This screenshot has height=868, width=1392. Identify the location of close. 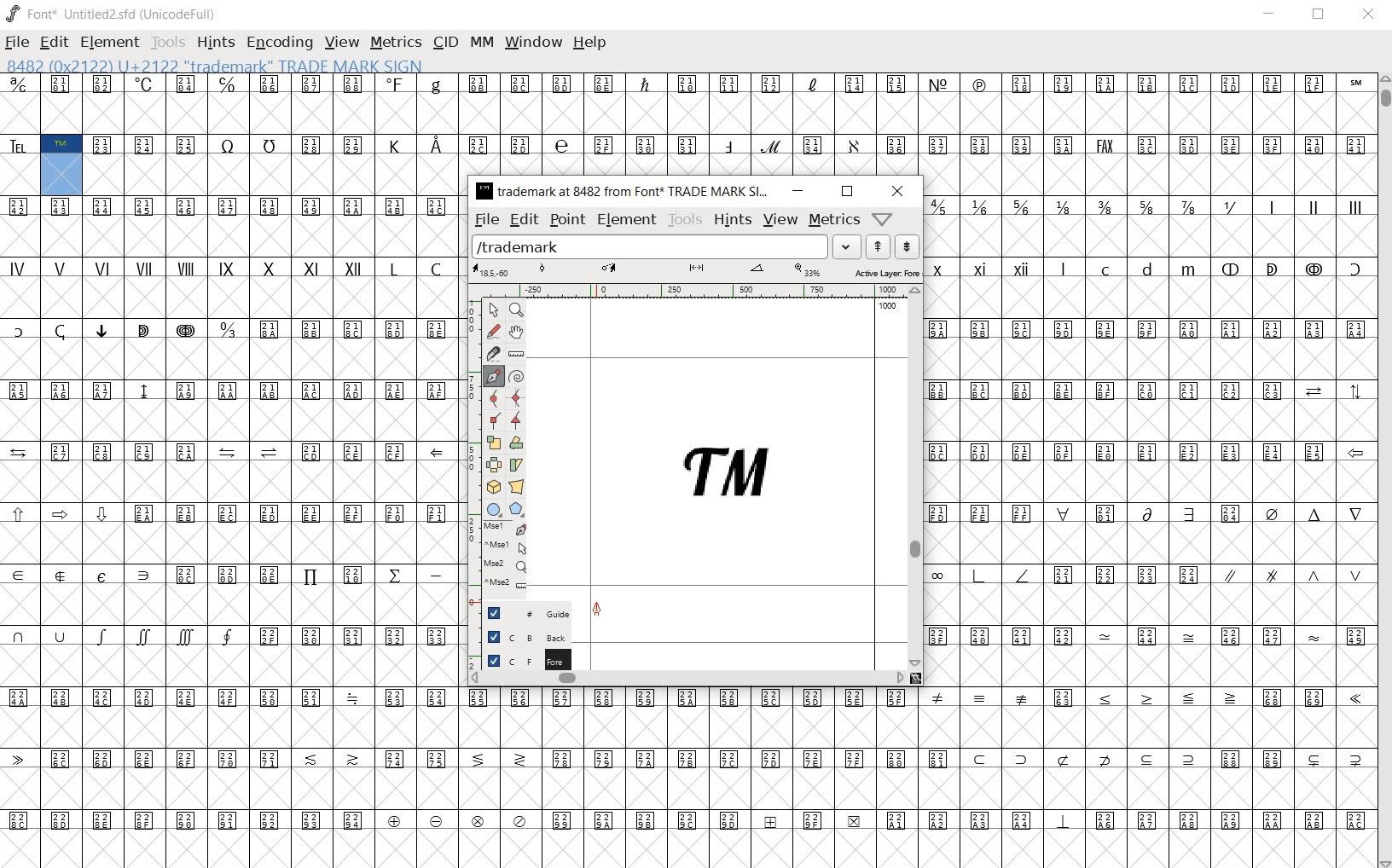
(896, 190).